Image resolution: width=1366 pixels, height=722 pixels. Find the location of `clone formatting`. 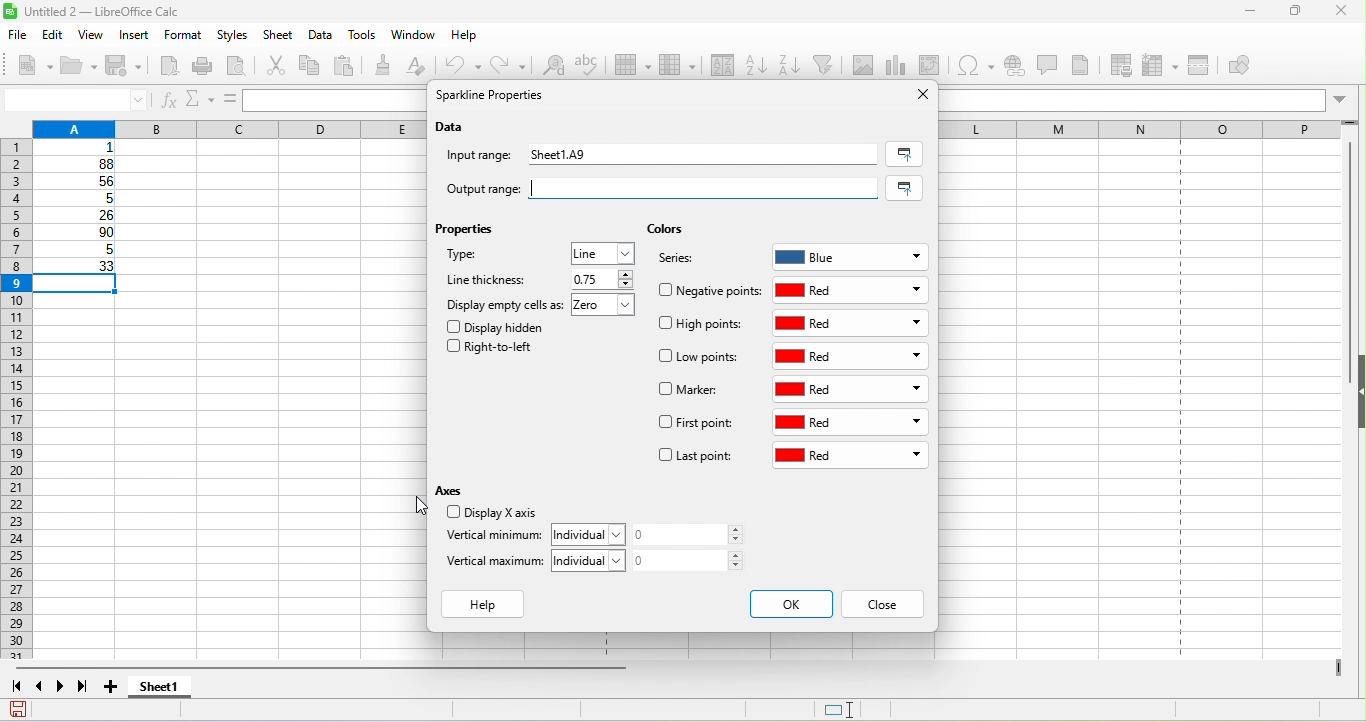

clone formatting is located at coordinates (387, 65).